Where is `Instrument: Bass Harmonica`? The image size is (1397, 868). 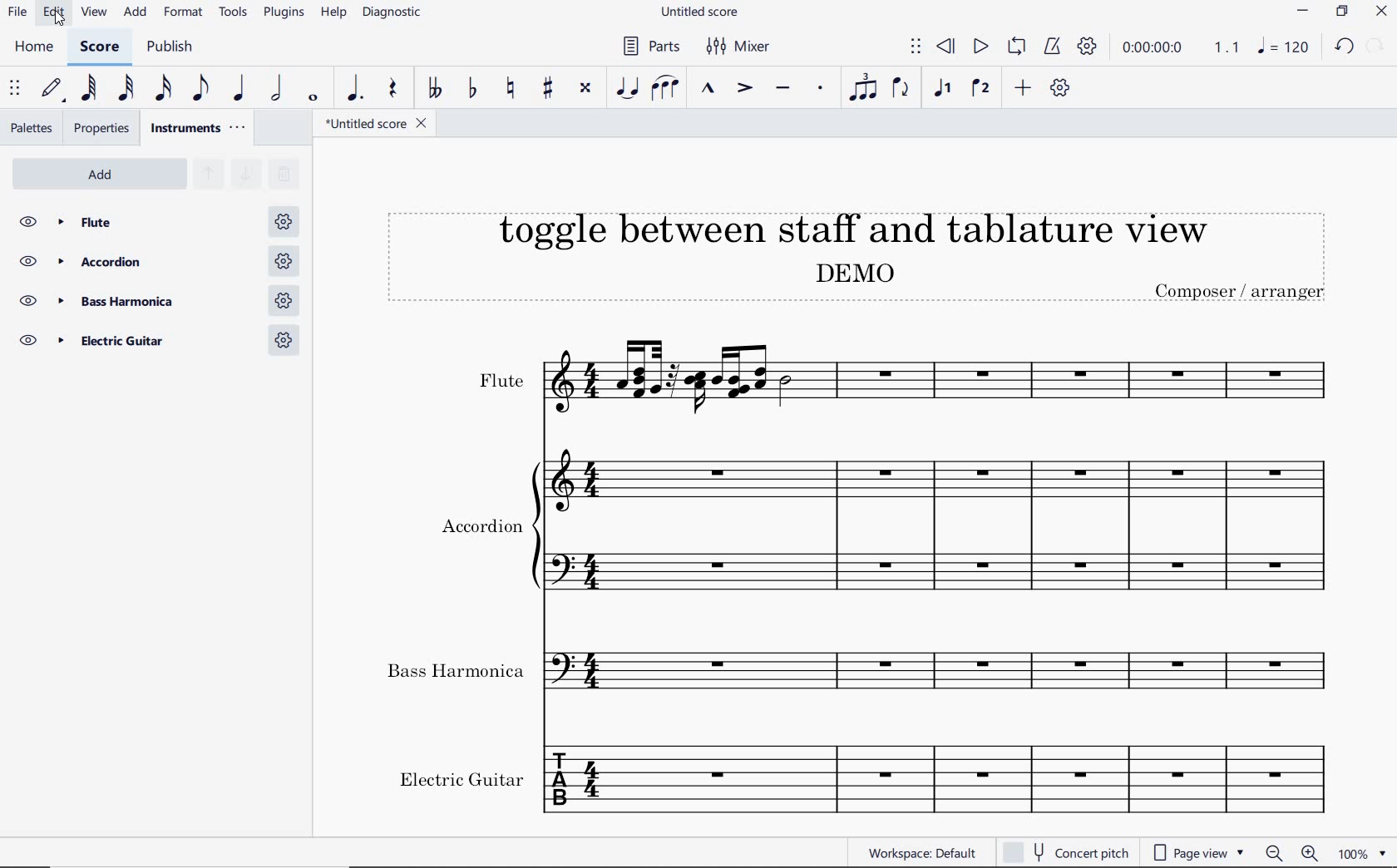
Instrument: Bass Harmonica is located at coordinates (867, 675).